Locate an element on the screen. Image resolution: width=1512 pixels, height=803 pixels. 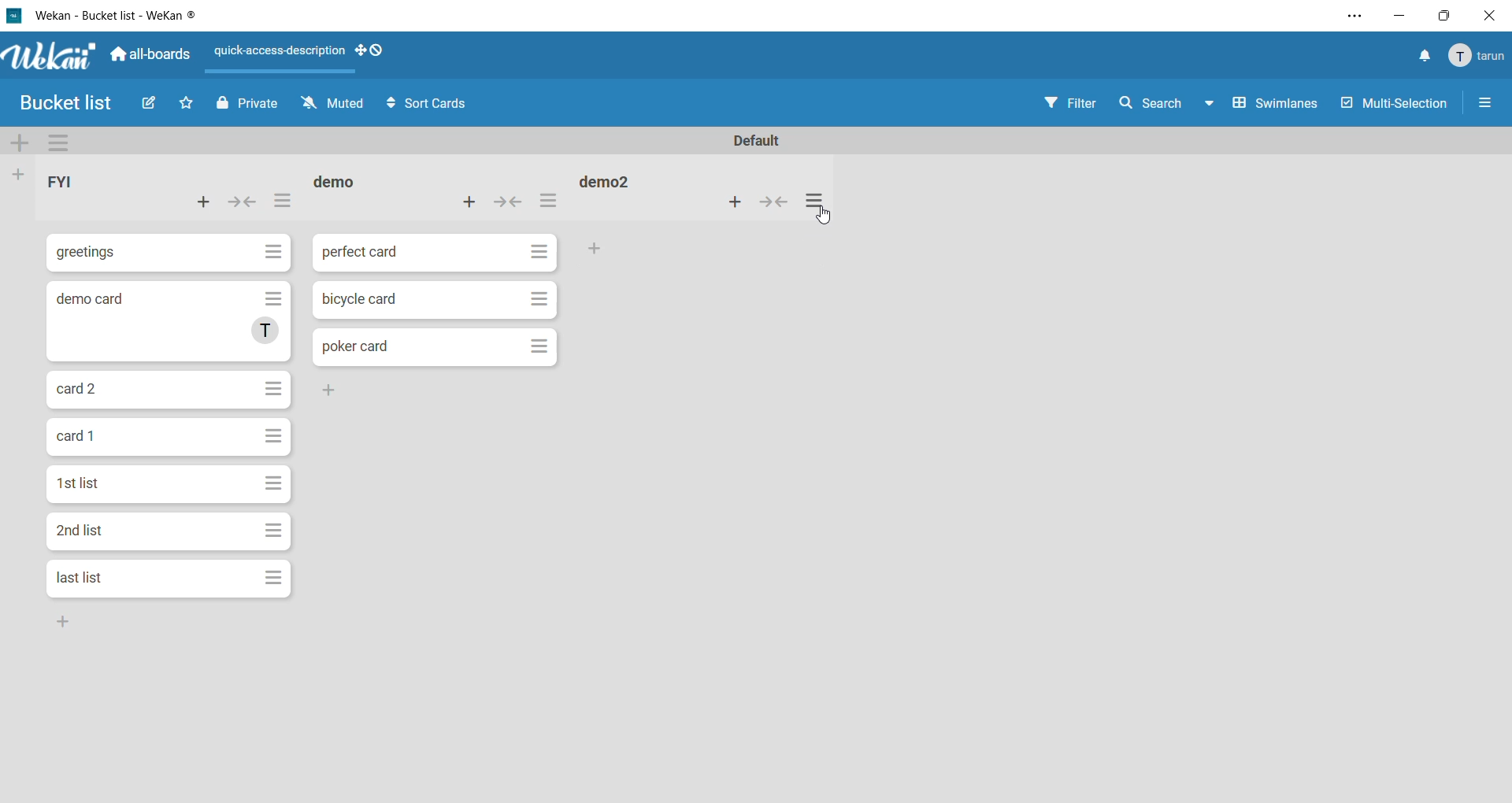
 is located at coordinates (65, 623).